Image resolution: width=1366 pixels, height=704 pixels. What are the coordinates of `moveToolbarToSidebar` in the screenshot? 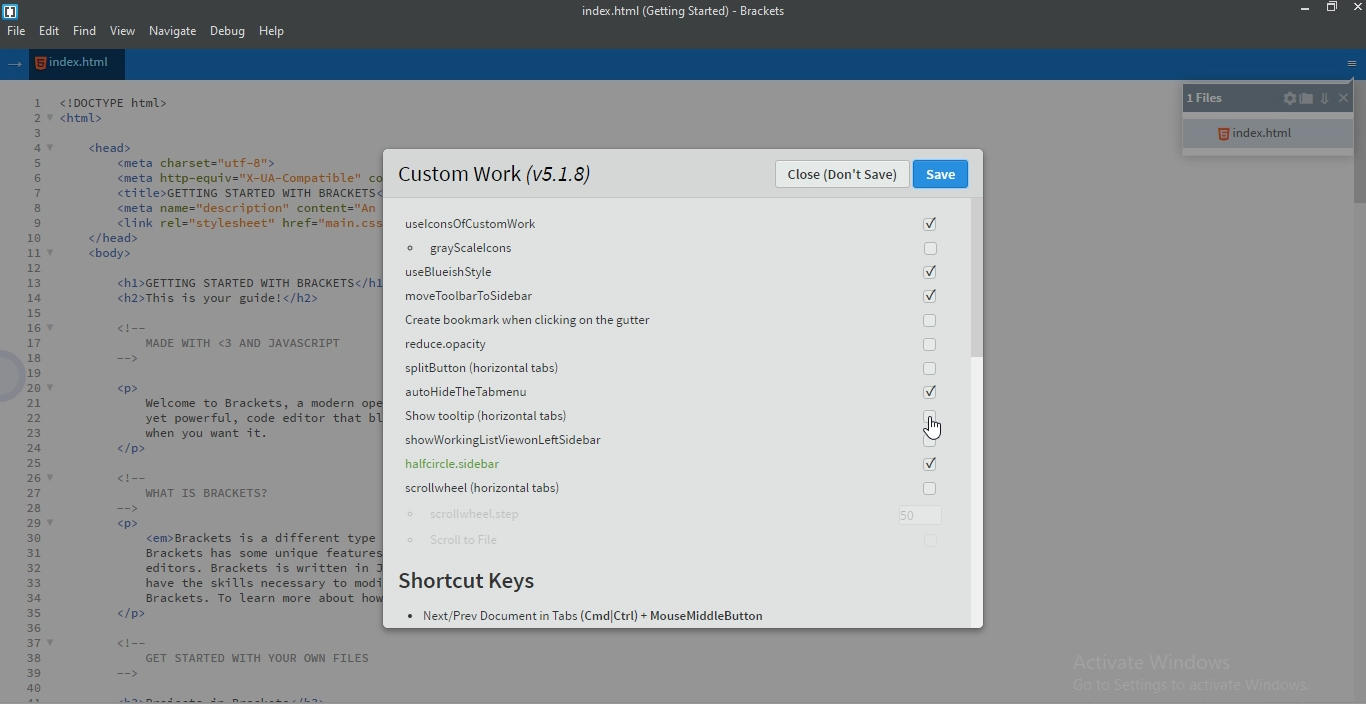 It's located at (673, 295).